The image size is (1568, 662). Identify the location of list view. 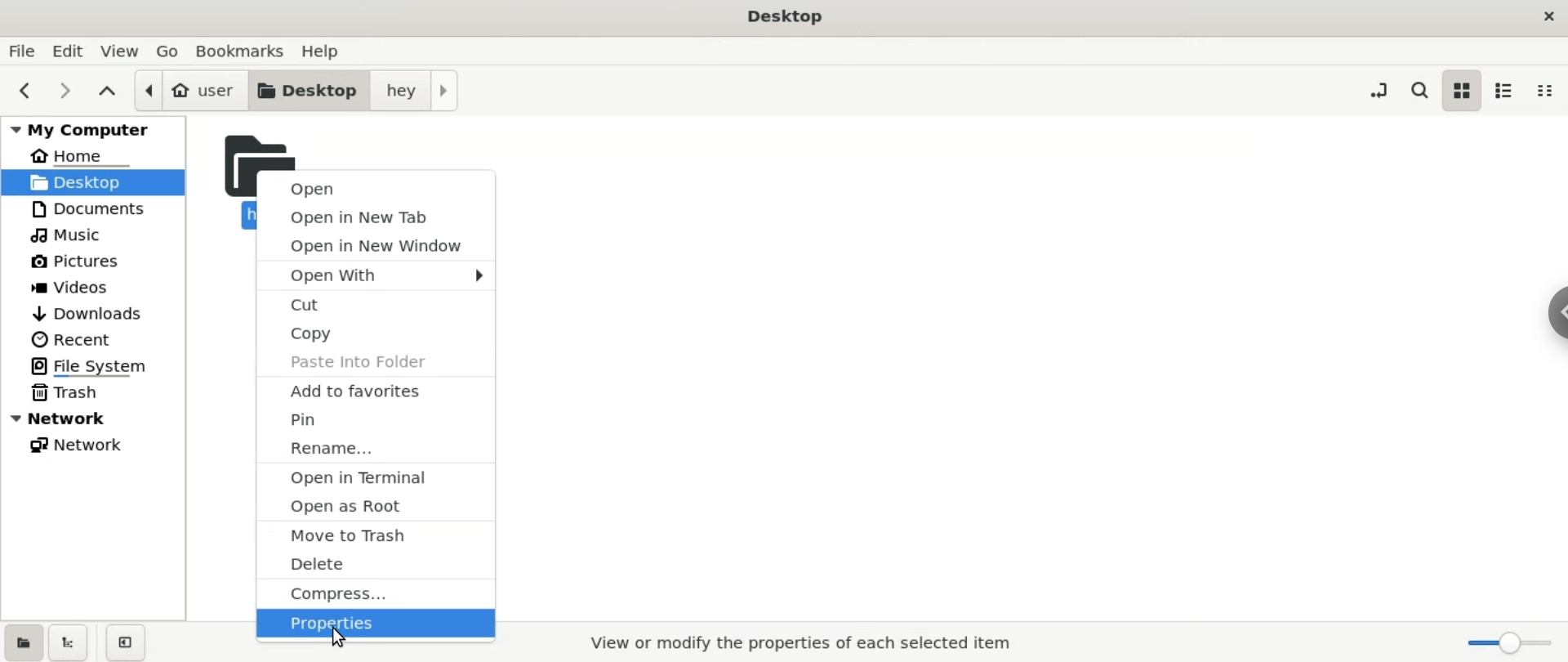
(1503, 90).